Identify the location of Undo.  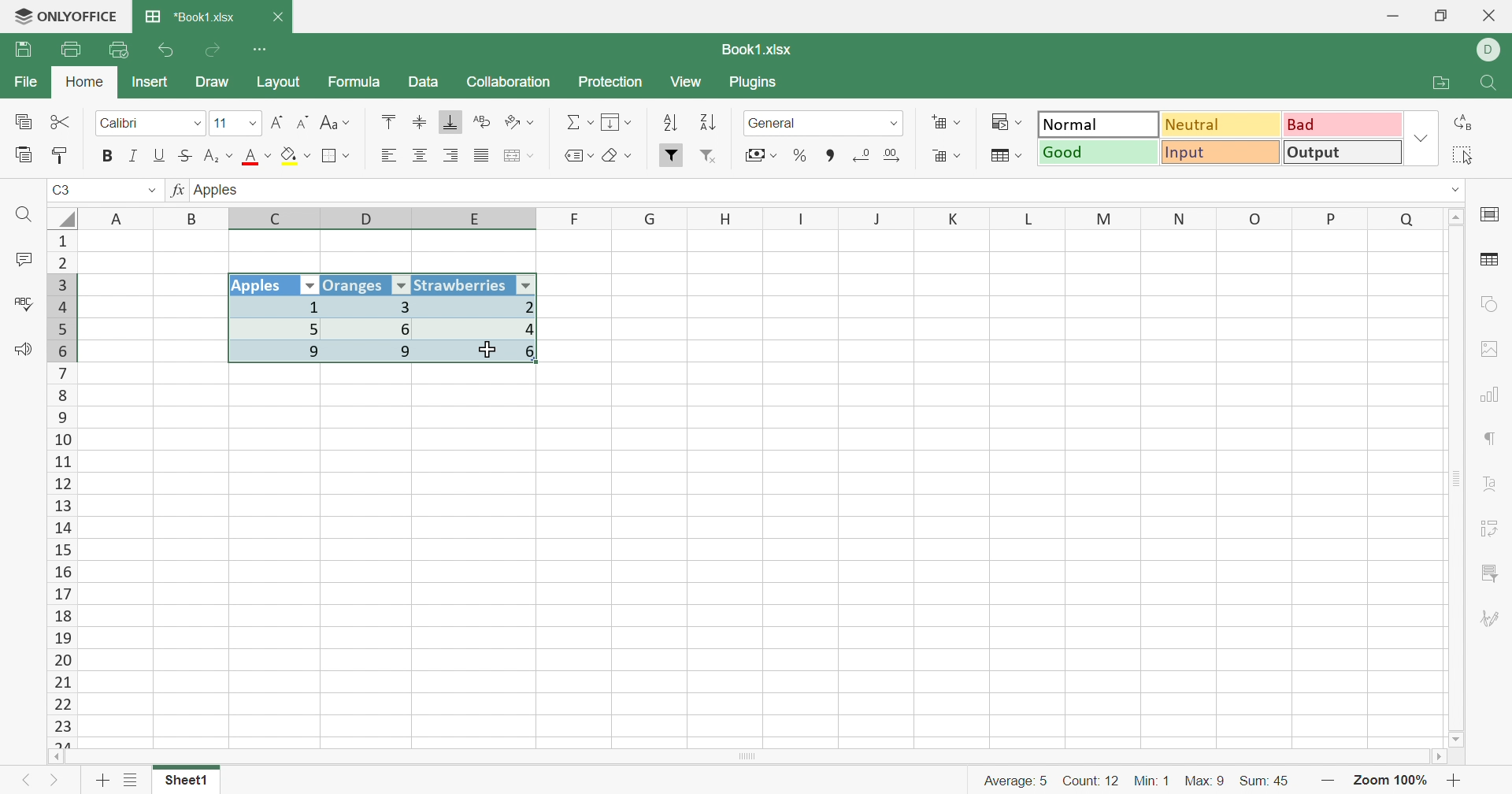
(167, 50).